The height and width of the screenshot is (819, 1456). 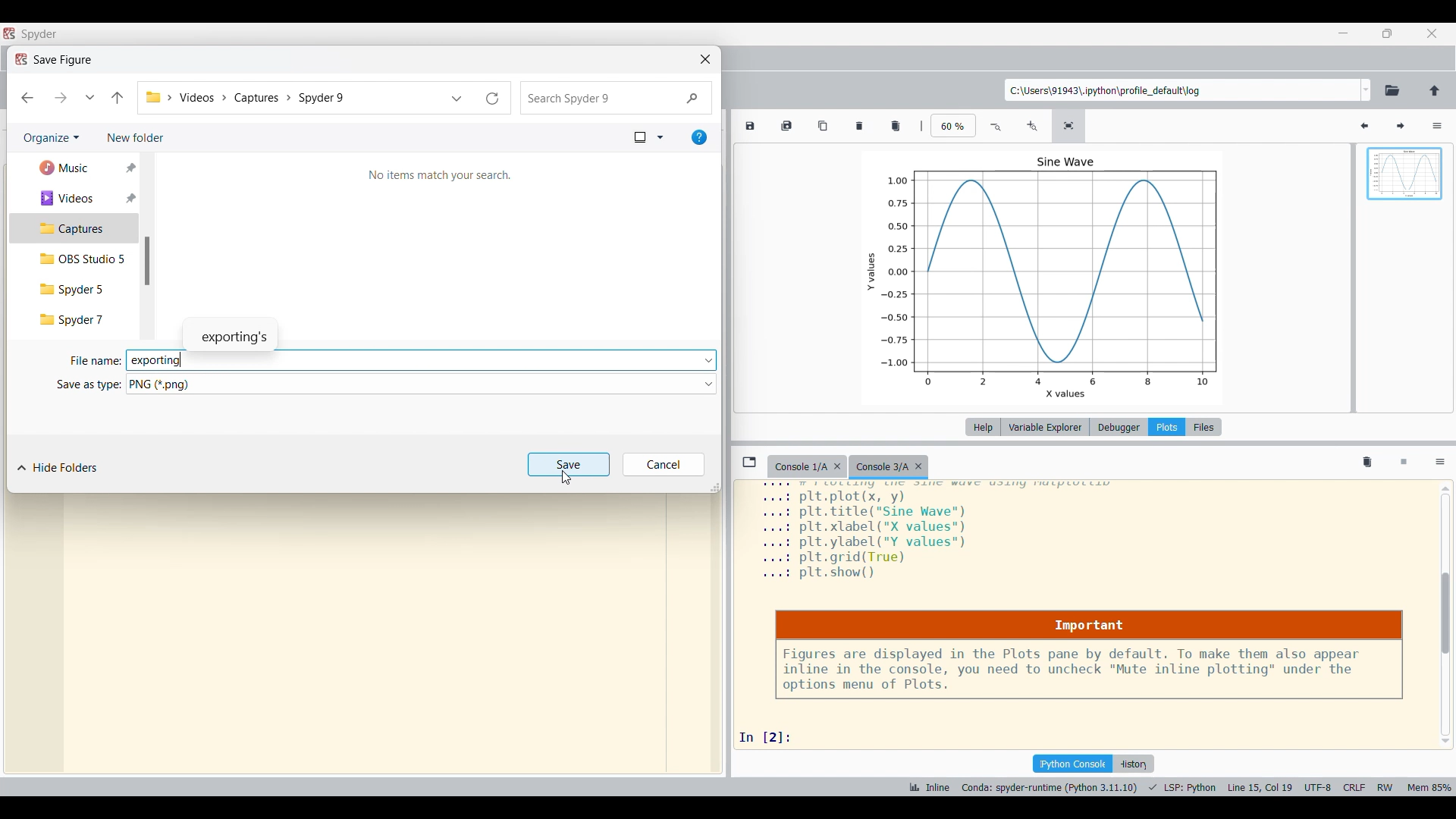 What do you see at coordinates (1438, 126) in the screenshot?
I see `Options` at bounding box center [1438, 126].